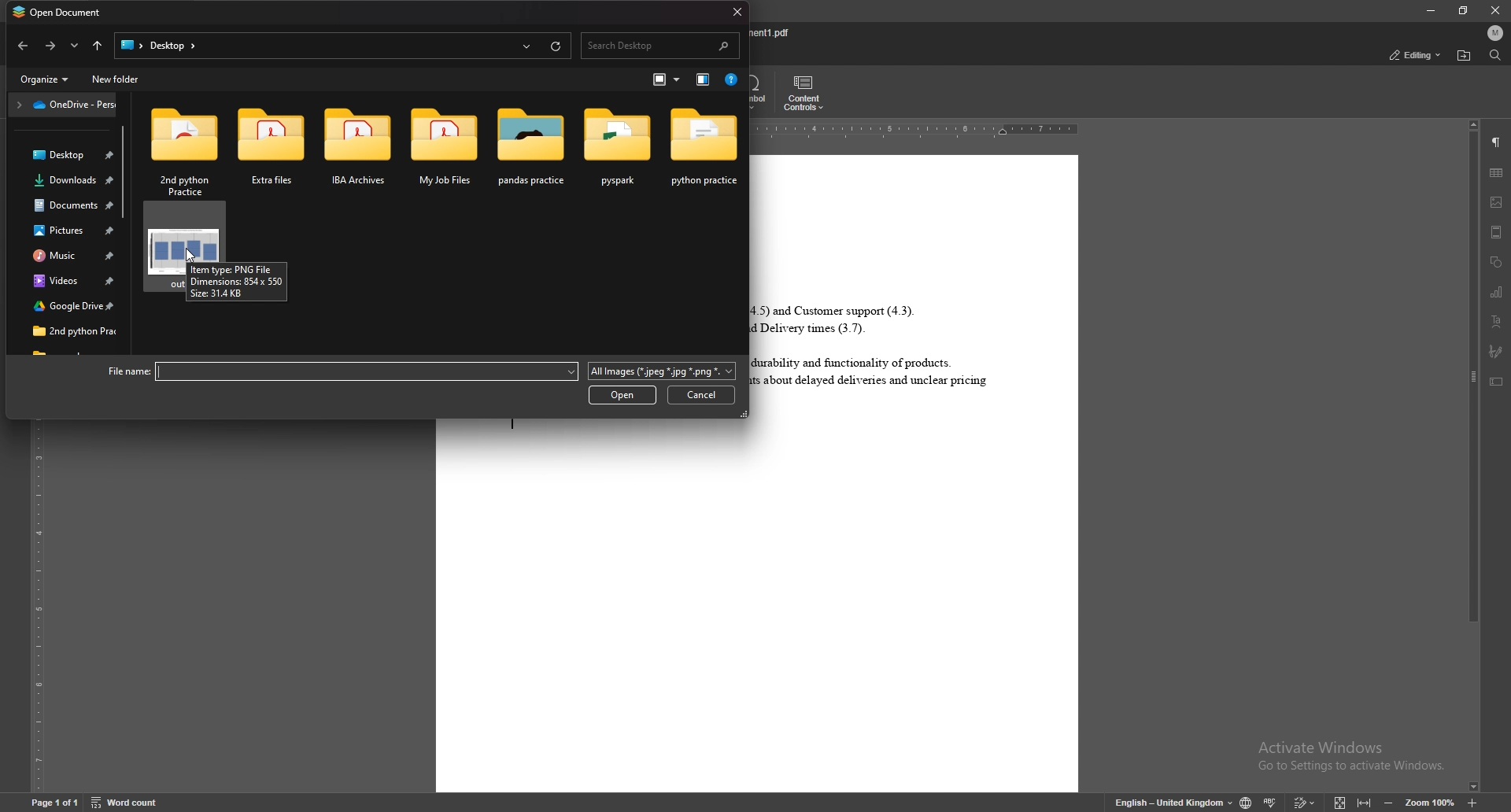 This screenshot has width=1511, height=812. Describe the element at coordinates (807, 93) in the screenshot. I see `content controls` at that location.